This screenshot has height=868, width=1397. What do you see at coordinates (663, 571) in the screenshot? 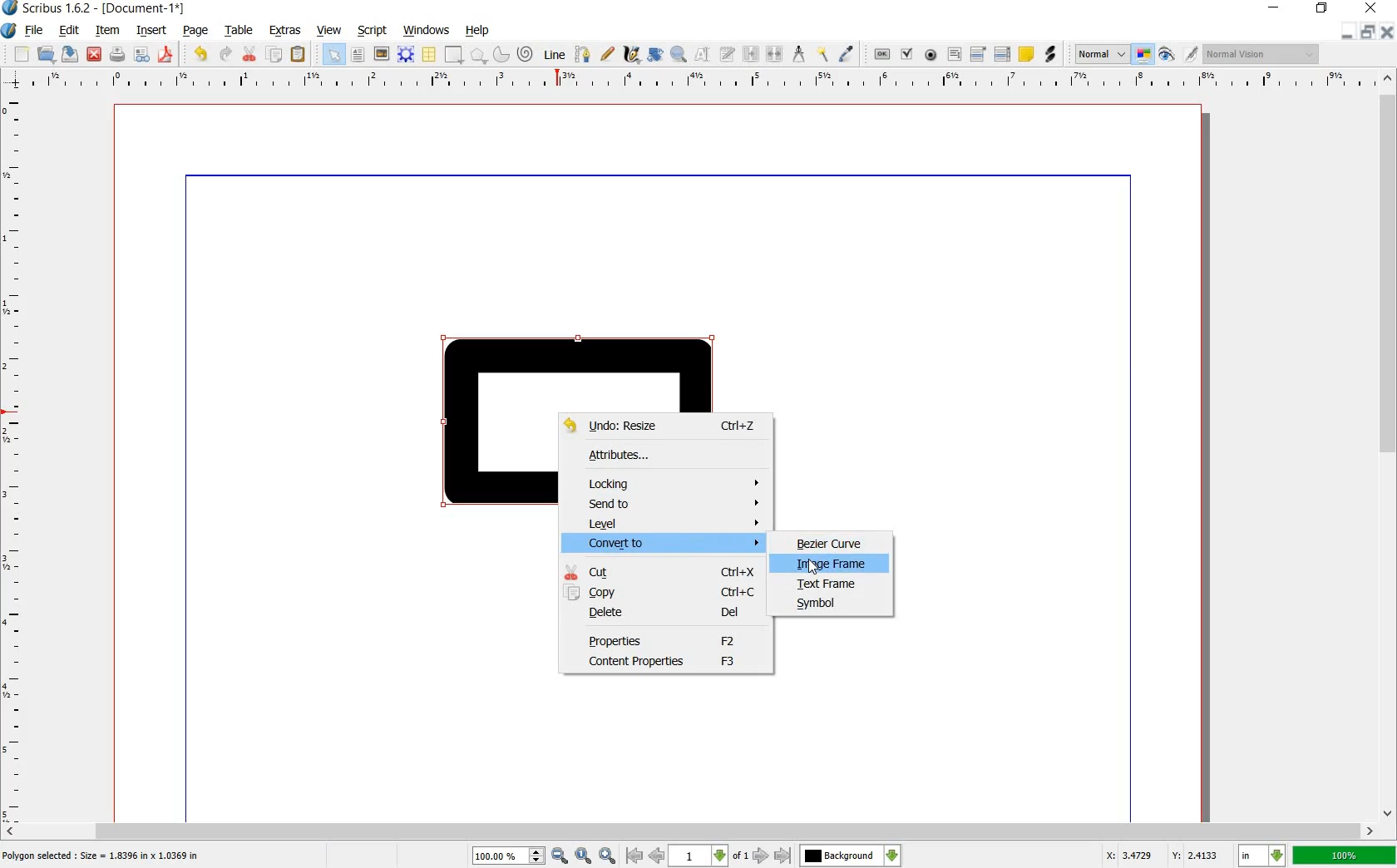
I see `CUT Ctrl+X` at bounding box center [663, 571].